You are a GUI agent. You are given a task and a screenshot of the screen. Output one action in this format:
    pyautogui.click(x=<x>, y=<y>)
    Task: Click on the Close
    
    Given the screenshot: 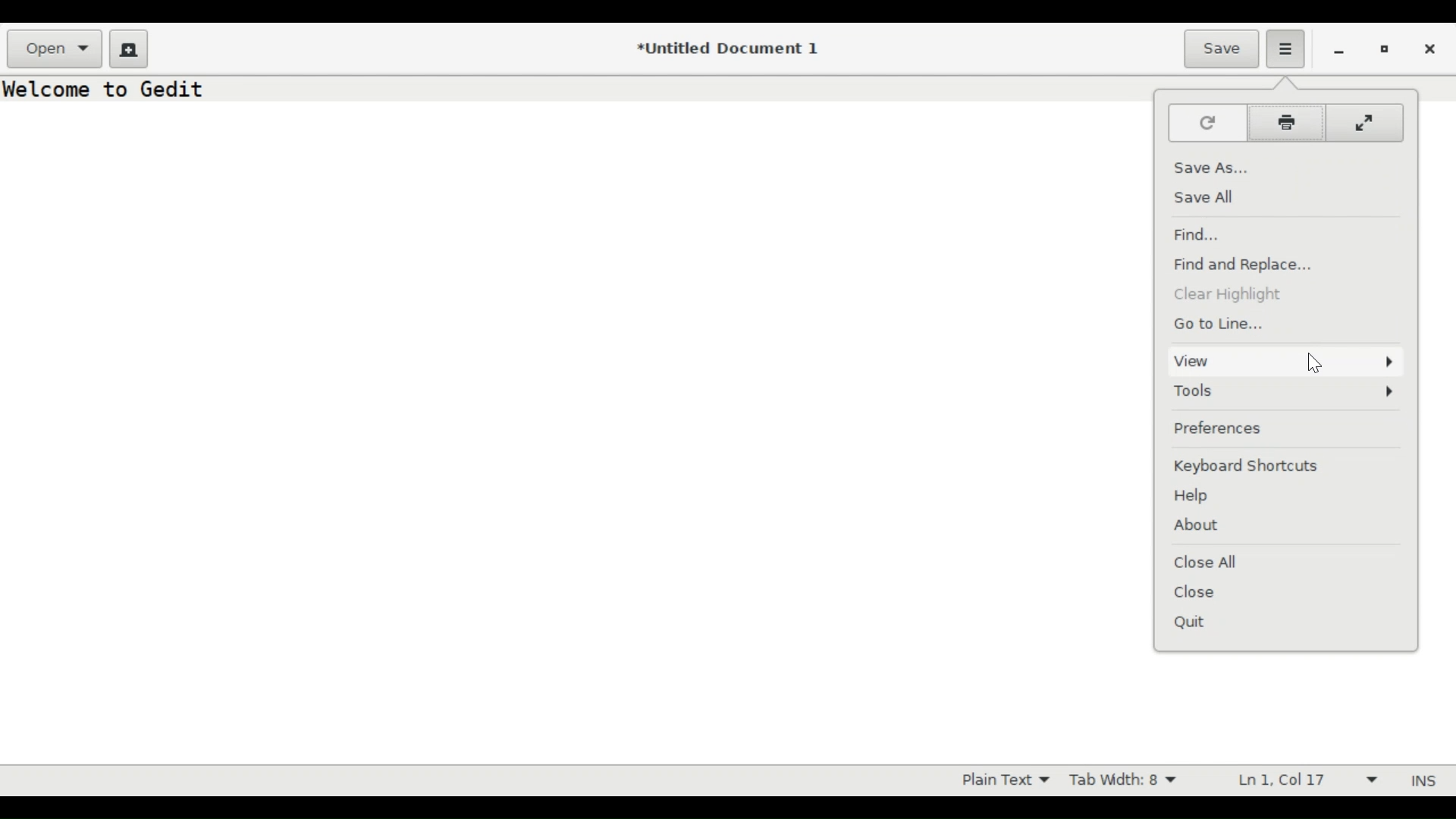 What is the action you would take?
    pyautogui.click(x=1432, y=47)
    